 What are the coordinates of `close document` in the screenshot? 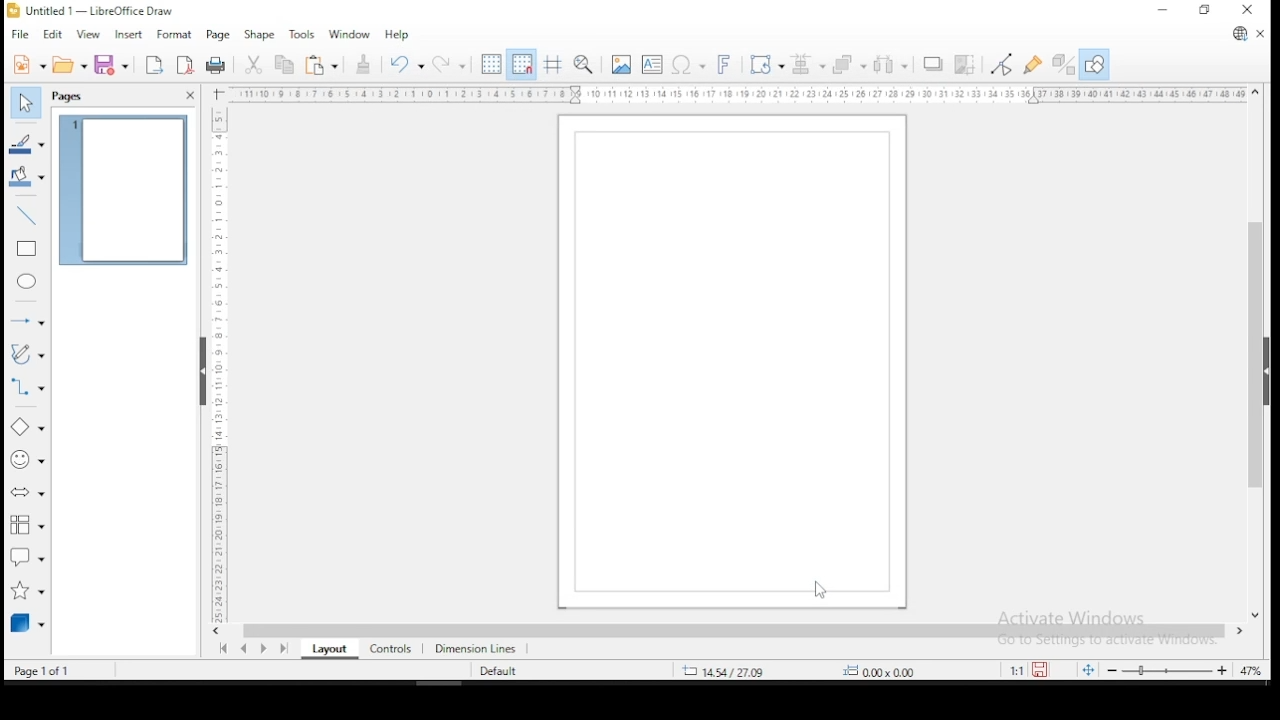 It's located at (1260, 34).